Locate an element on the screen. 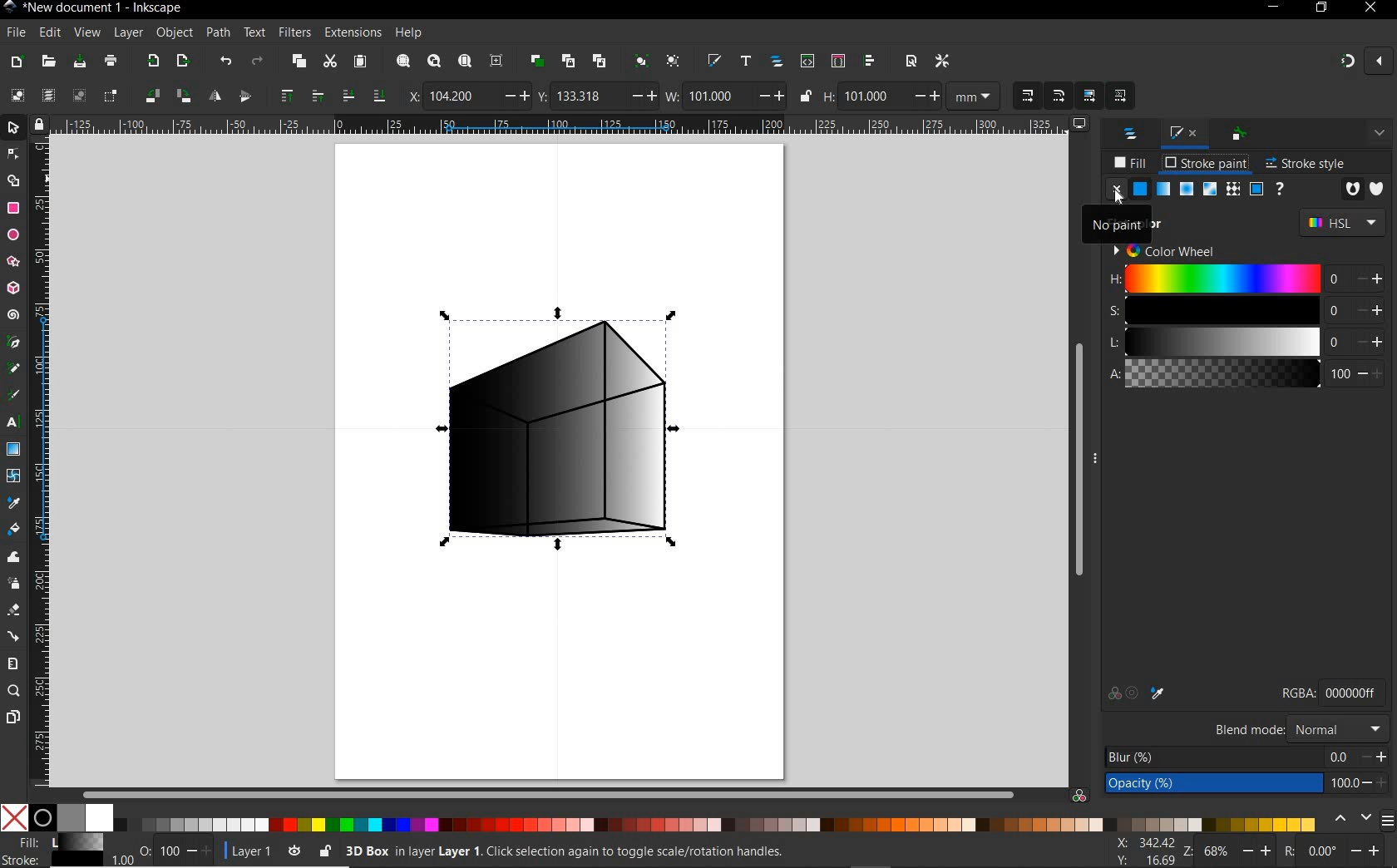 Image resolution: width=1397 pixels, height=868 pixels. PAINT BUCKET TOOL is located at coordinates (14, 530).